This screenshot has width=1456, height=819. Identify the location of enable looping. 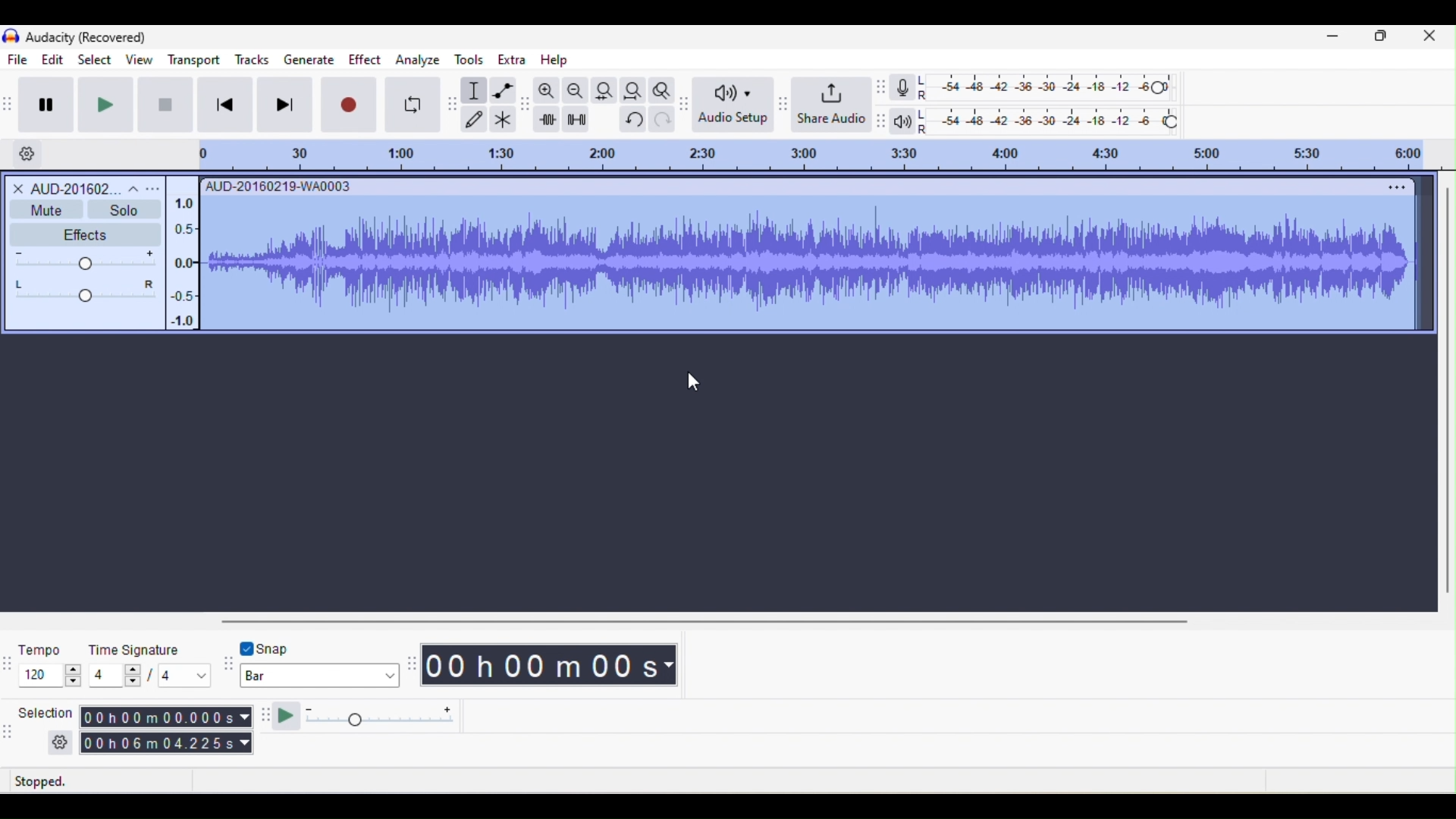
(412, 105).